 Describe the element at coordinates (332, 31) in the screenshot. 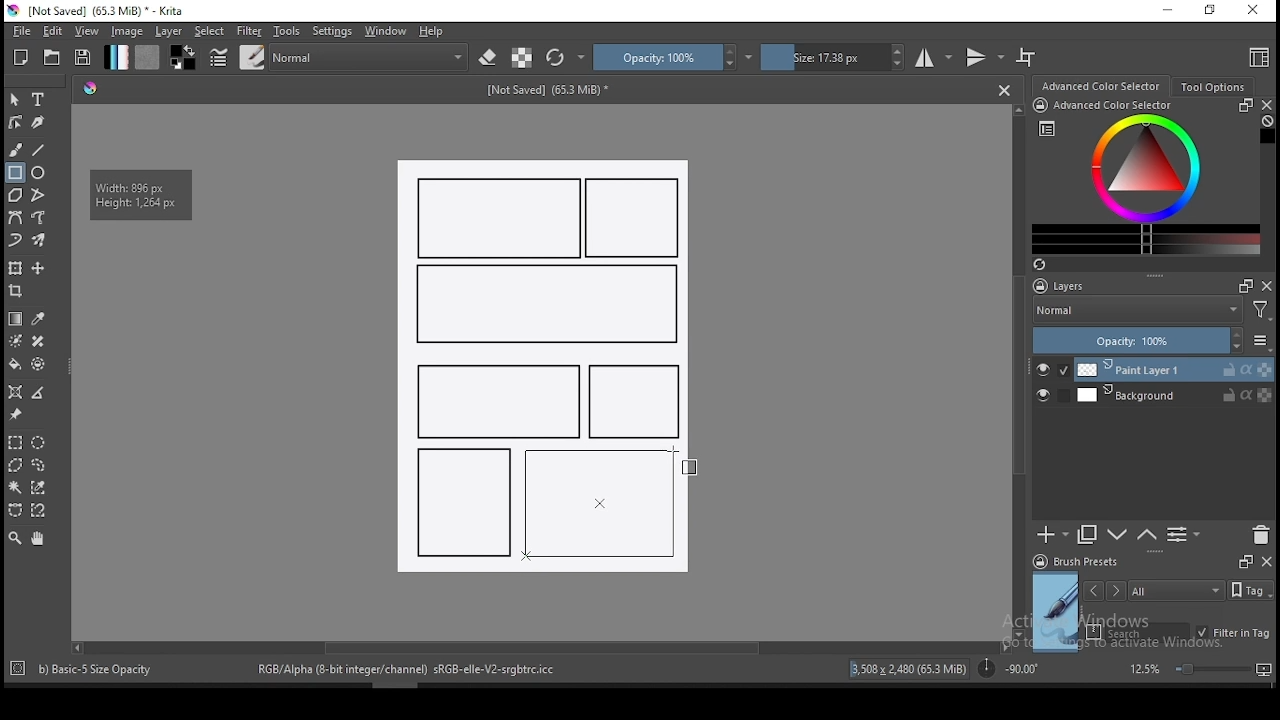

I see `settings` at that location.